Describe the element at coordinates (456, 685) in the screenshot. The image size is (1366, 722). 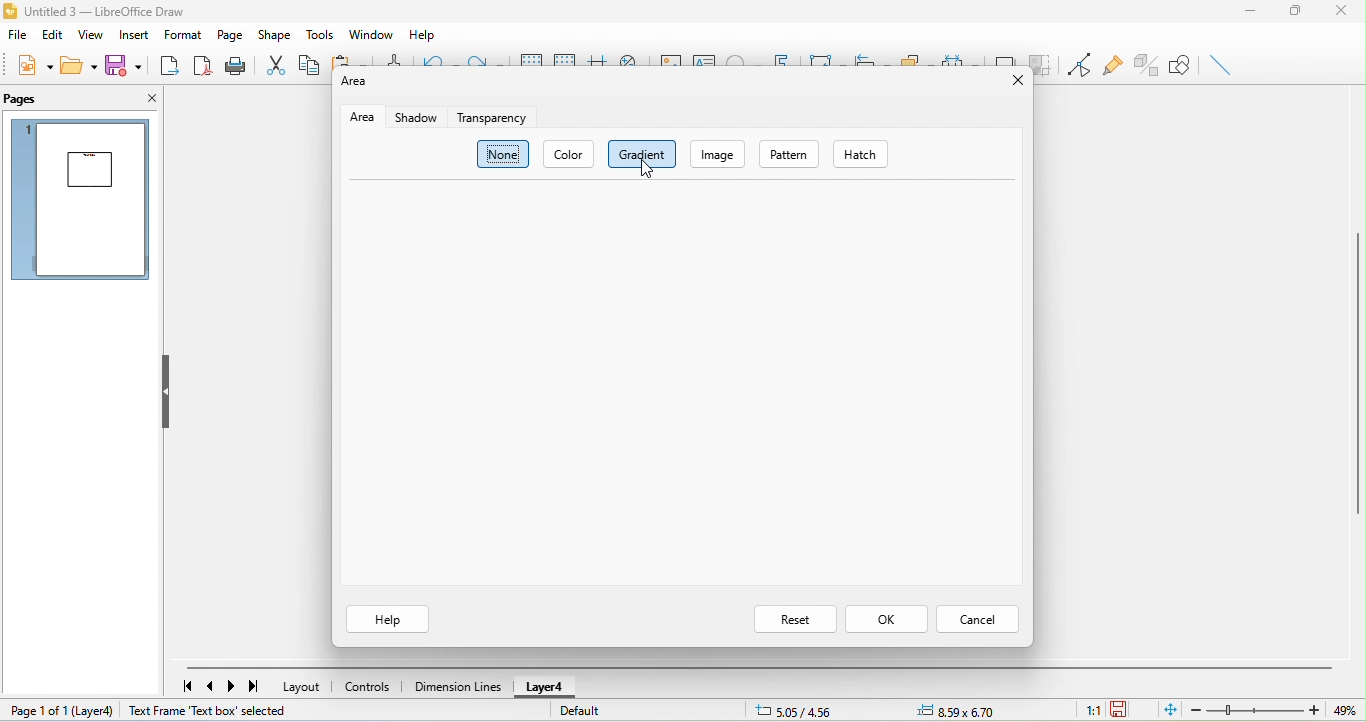
I see `dimension line` at that location.